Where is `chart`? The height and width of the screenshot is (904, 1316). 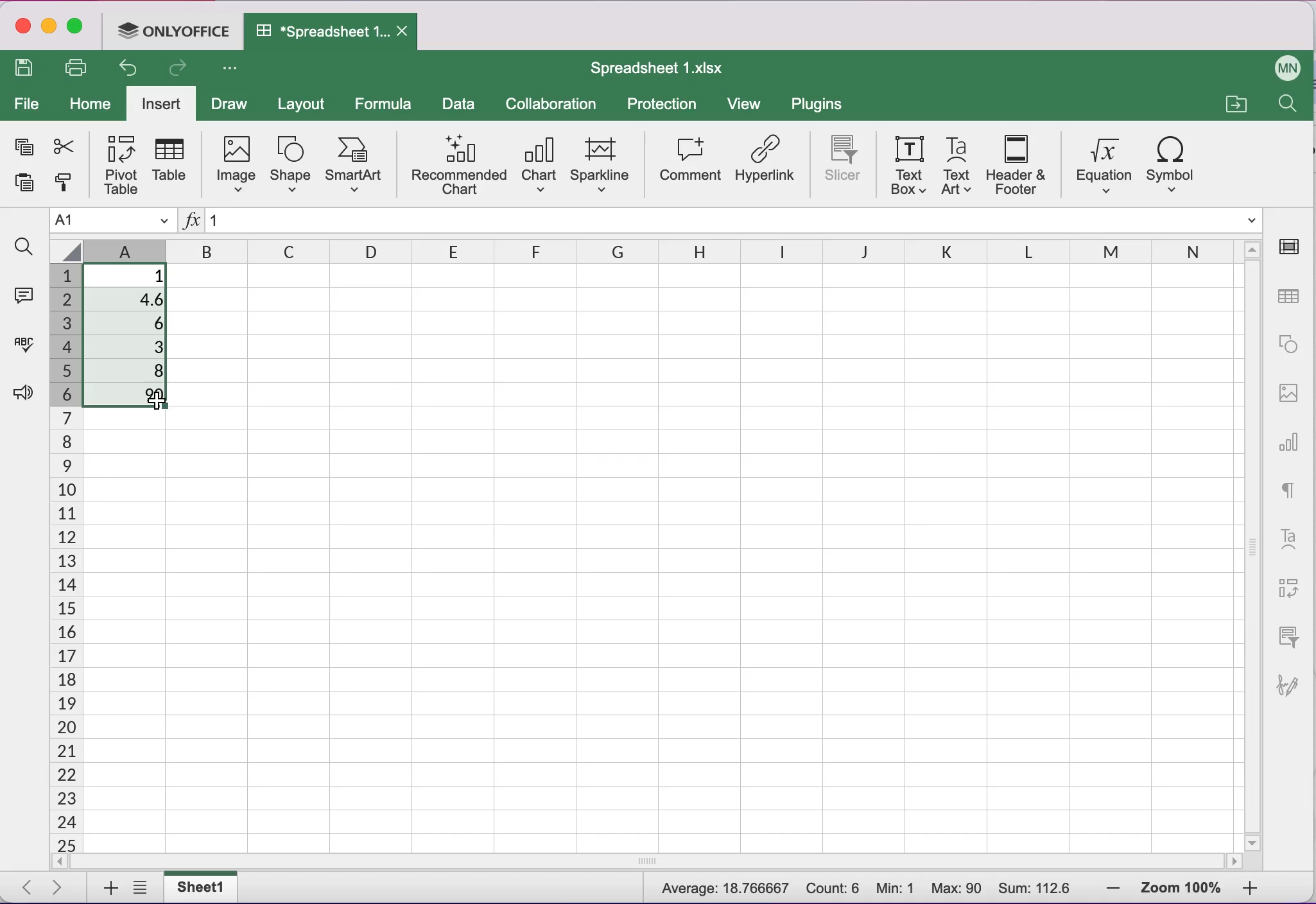
chart is located at coordinates (539, 167).